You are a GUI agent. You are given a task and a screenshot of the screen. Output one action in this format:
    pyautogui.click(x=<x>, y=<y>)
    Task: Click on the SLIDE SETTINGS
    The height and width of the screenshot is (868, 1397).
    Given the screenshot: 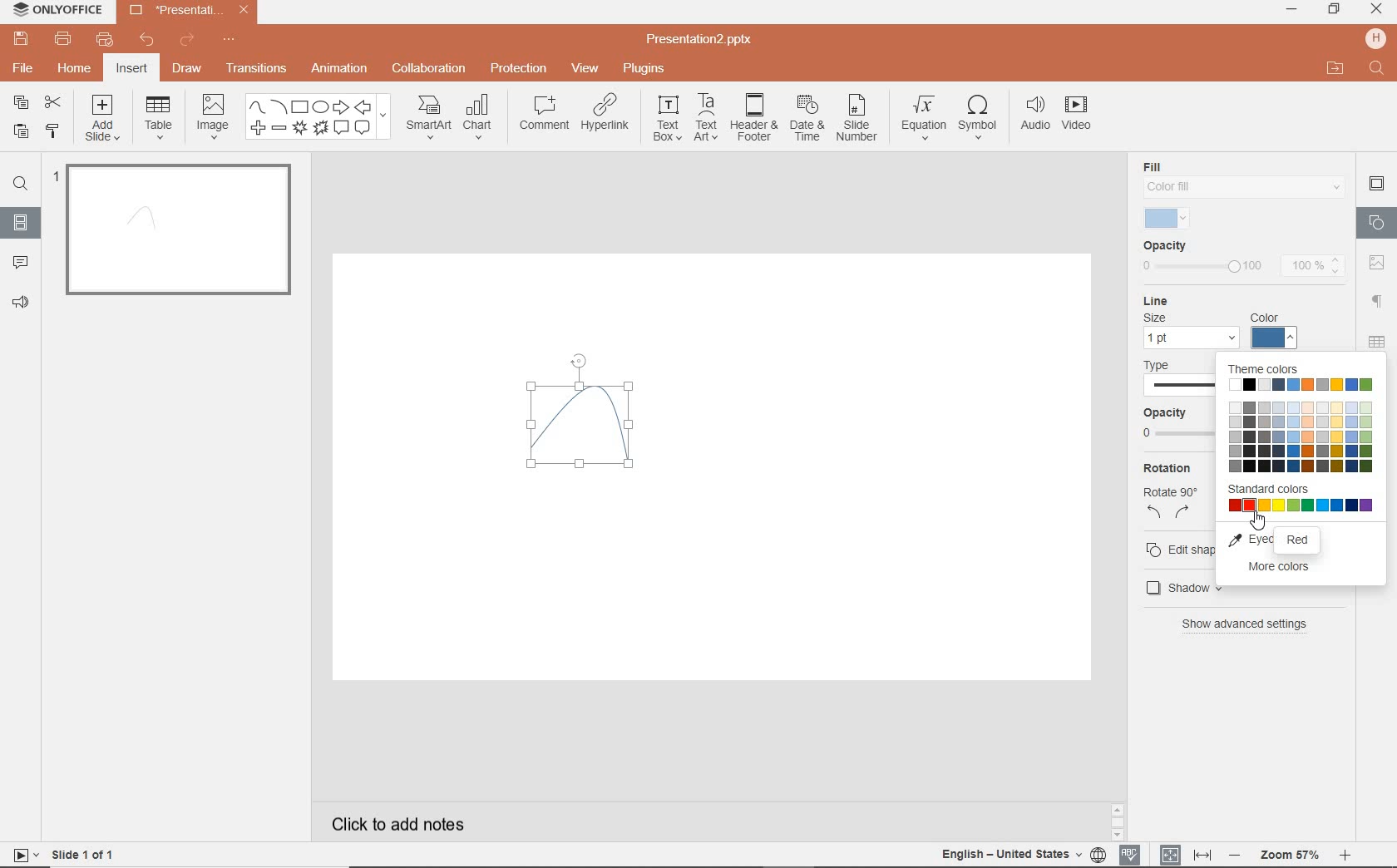 What is the action you would take?
    pyautogui.click(x=1378, y=185)
    